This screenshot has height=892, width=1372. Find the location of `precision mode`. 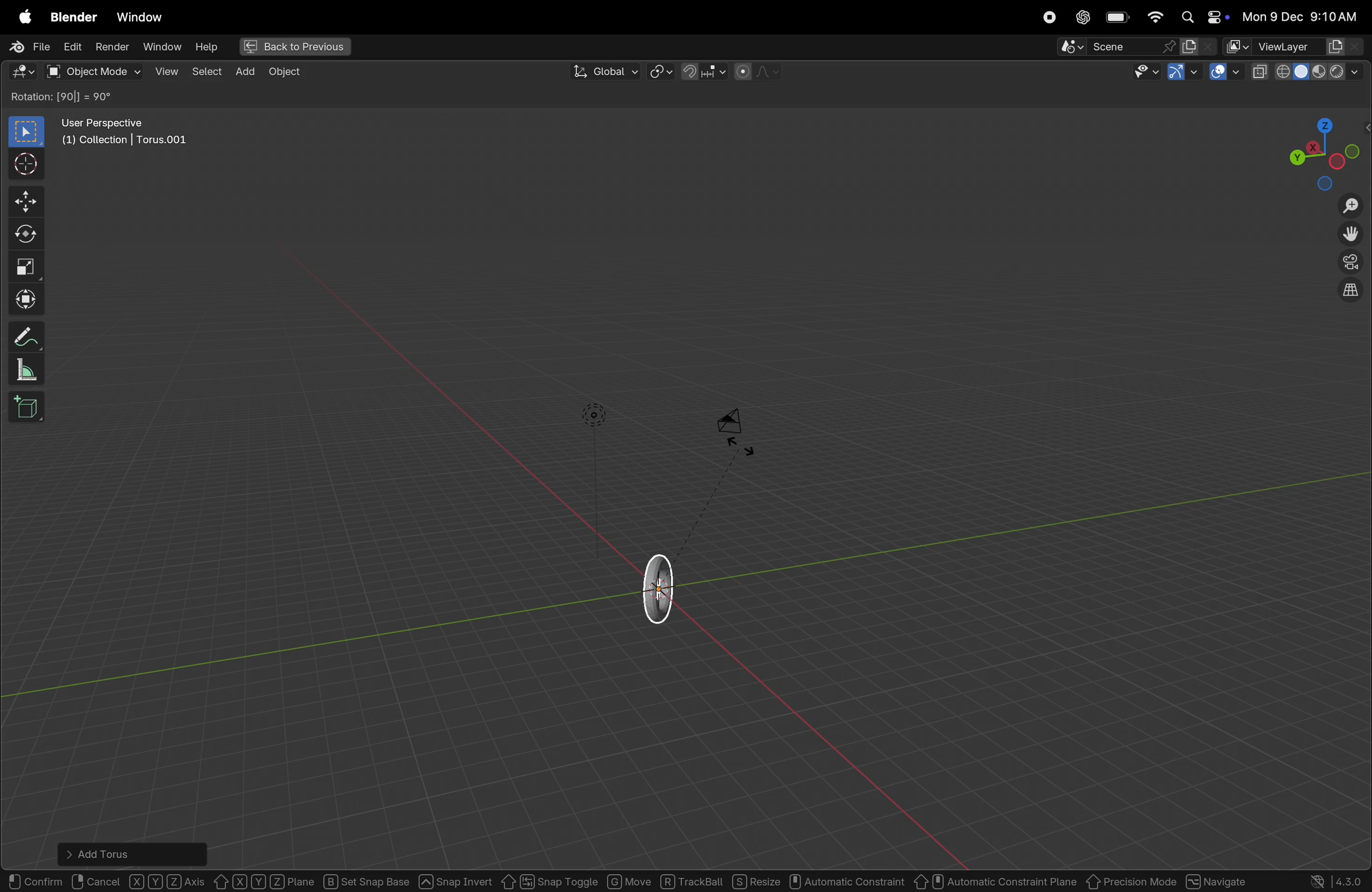

precision mode is located at coordinates (1132, 879).